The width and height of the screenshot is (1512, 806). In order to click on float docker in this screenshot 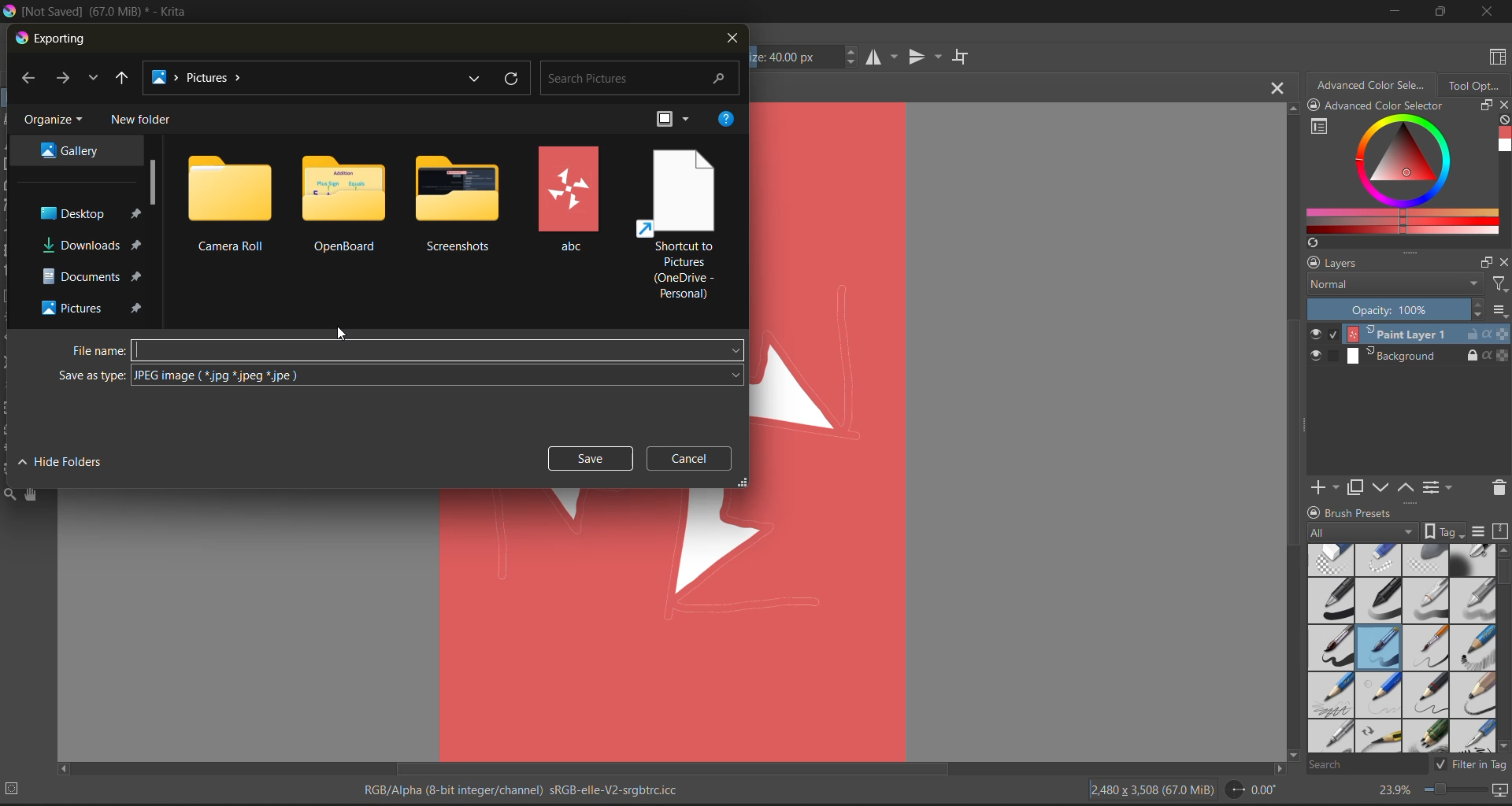, I will do `click(1488, 262)`.